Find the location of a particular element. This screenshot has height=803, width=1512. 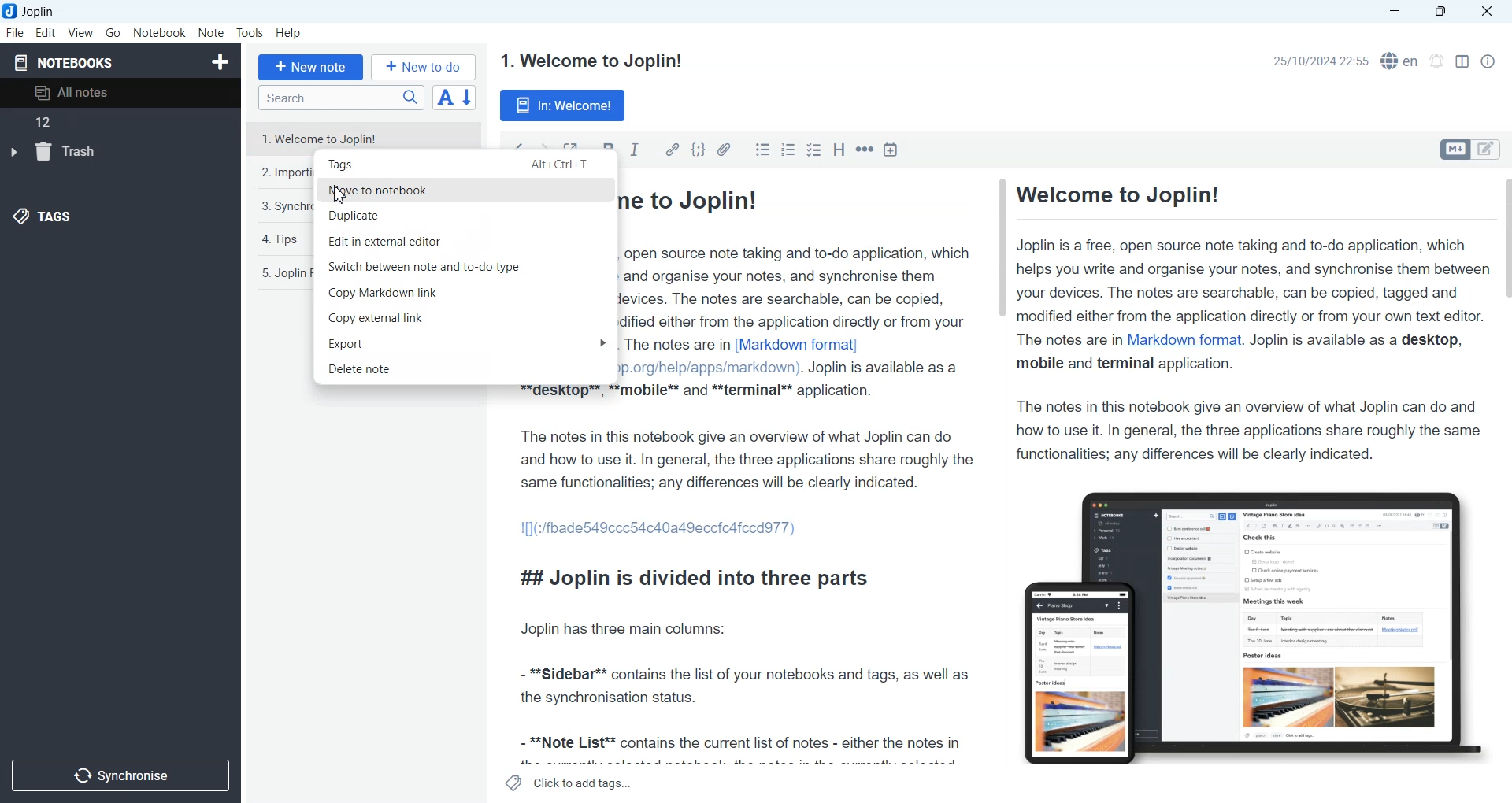

Duplicate is located at coordinates (465, 215).